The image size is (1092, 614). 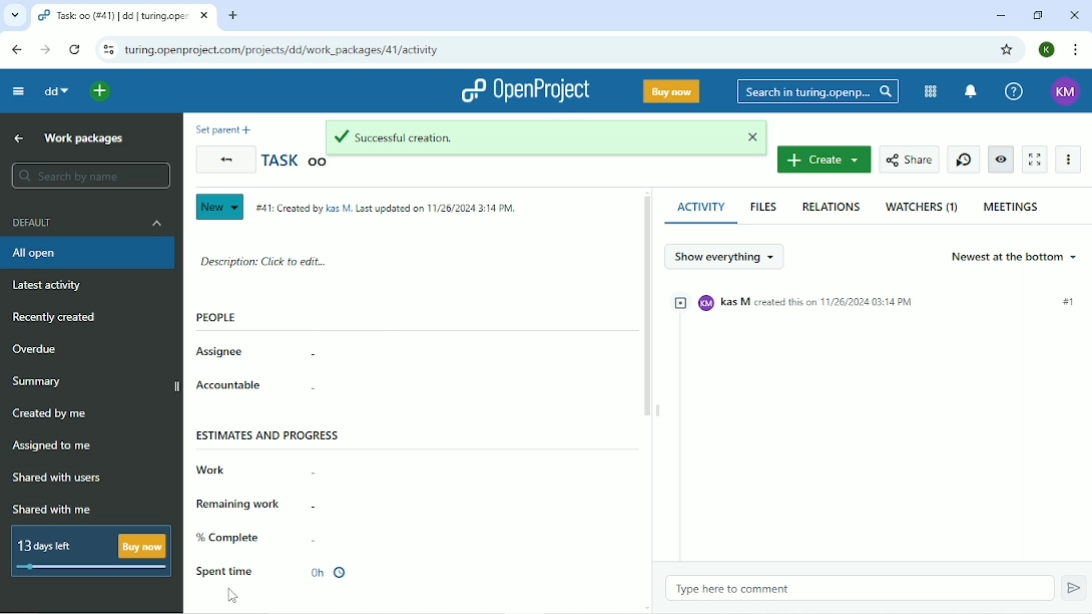 What do you see at coordinates (18, 140) in the screenshot?
I see `Back` at bounding box center [18, 140].